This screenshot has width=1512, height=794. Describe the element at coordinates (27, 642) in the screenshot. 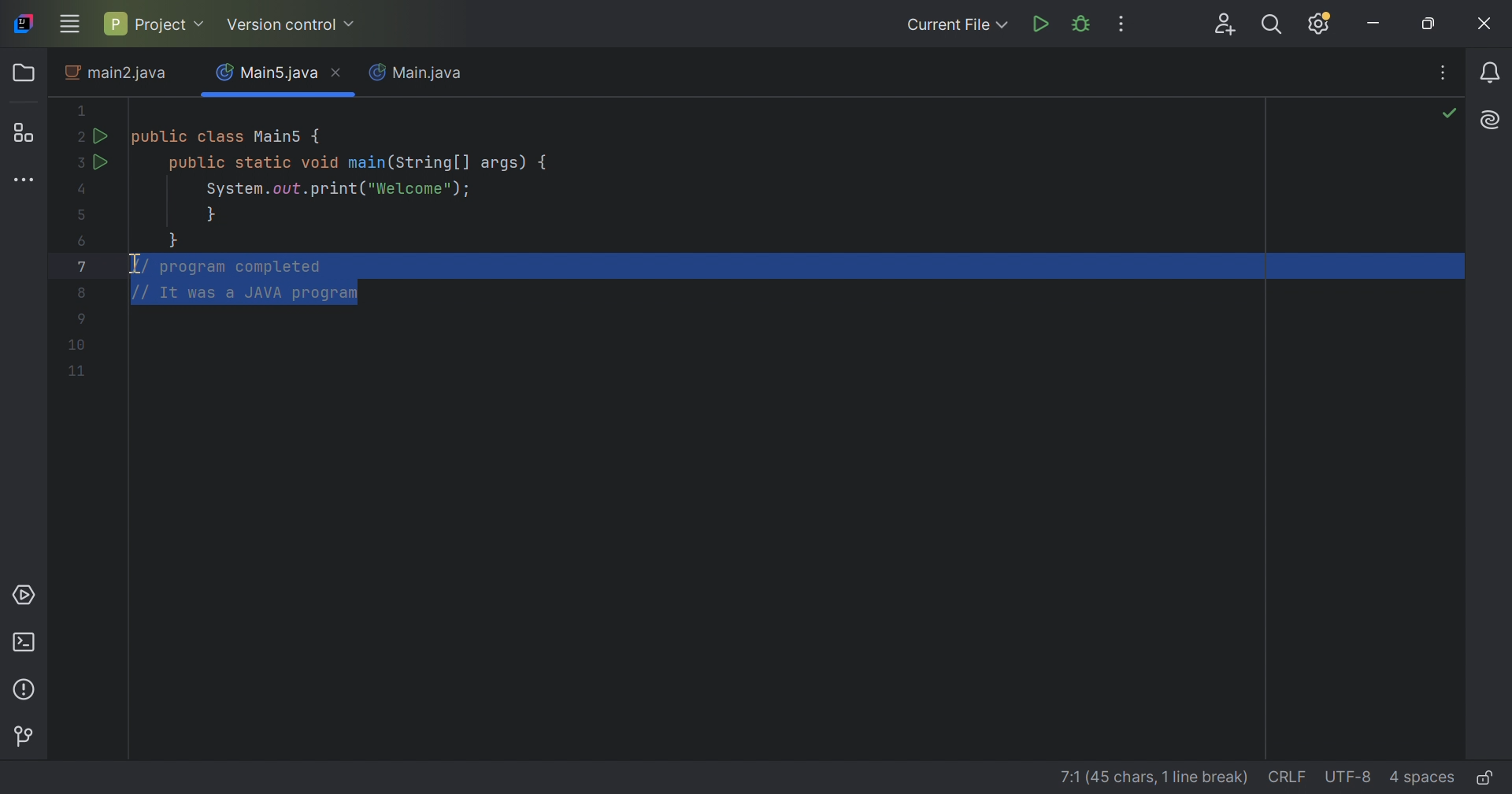

I see `Terminal` at that location.